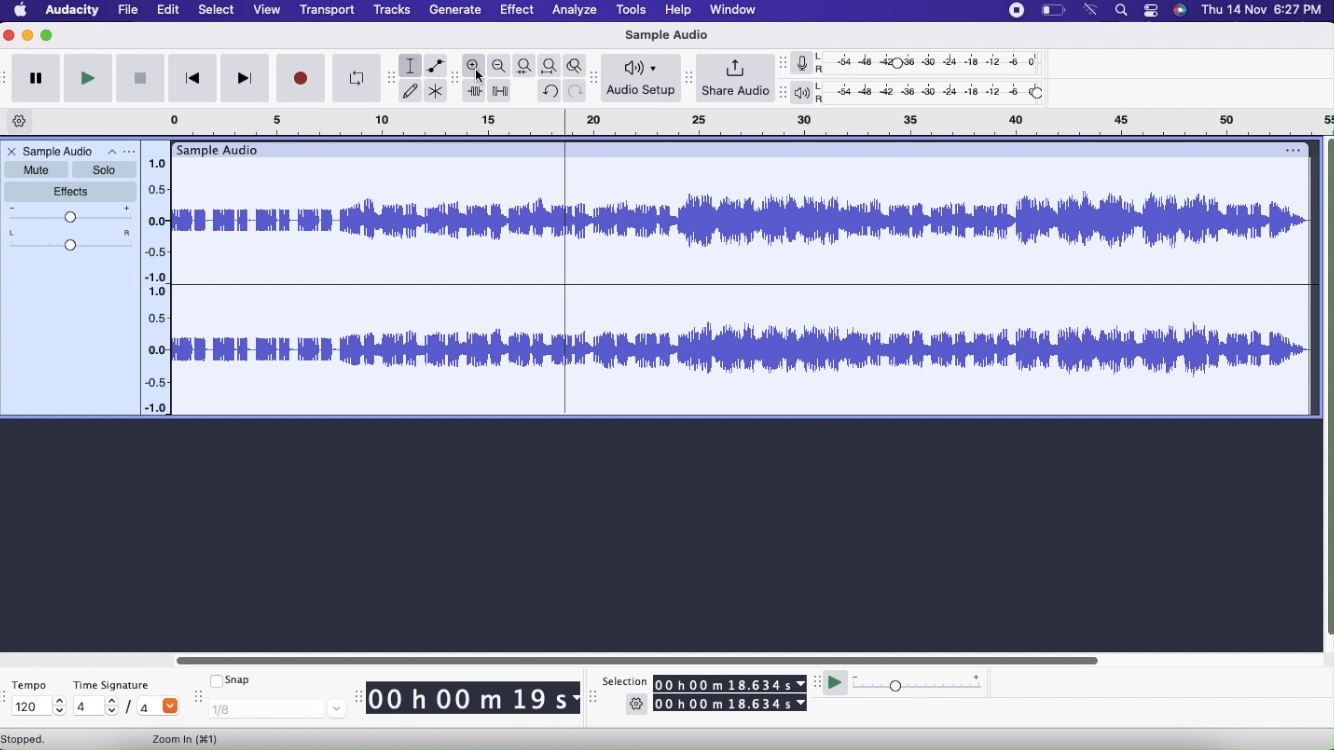 The image size is (1334, 750). I want to click on Skip to end, so click(246, 78).